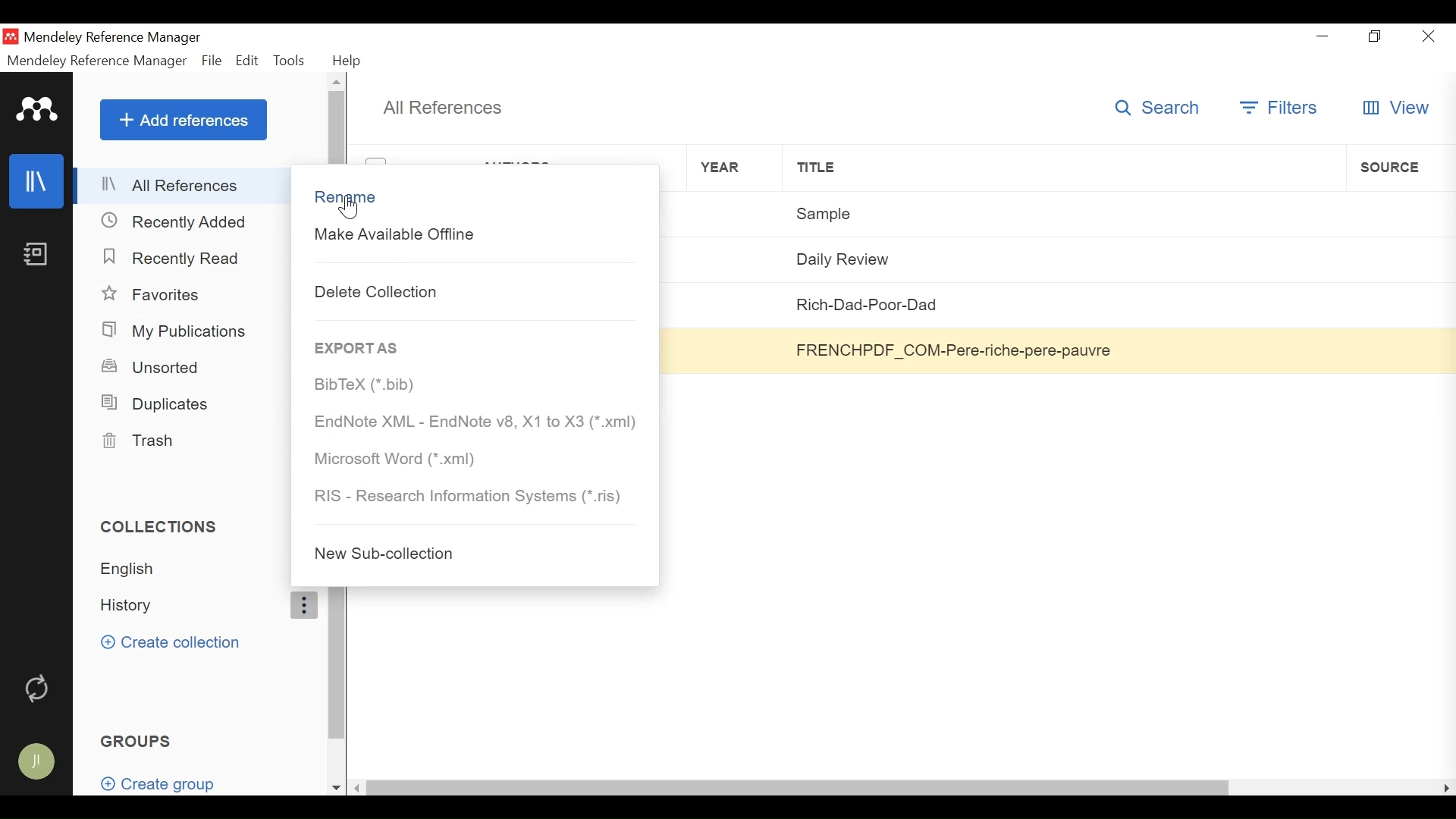 This screenshot has height=819, width=1456. Describe the element at coordinates (212, 61) in the screenshot. I see `File` at that location.